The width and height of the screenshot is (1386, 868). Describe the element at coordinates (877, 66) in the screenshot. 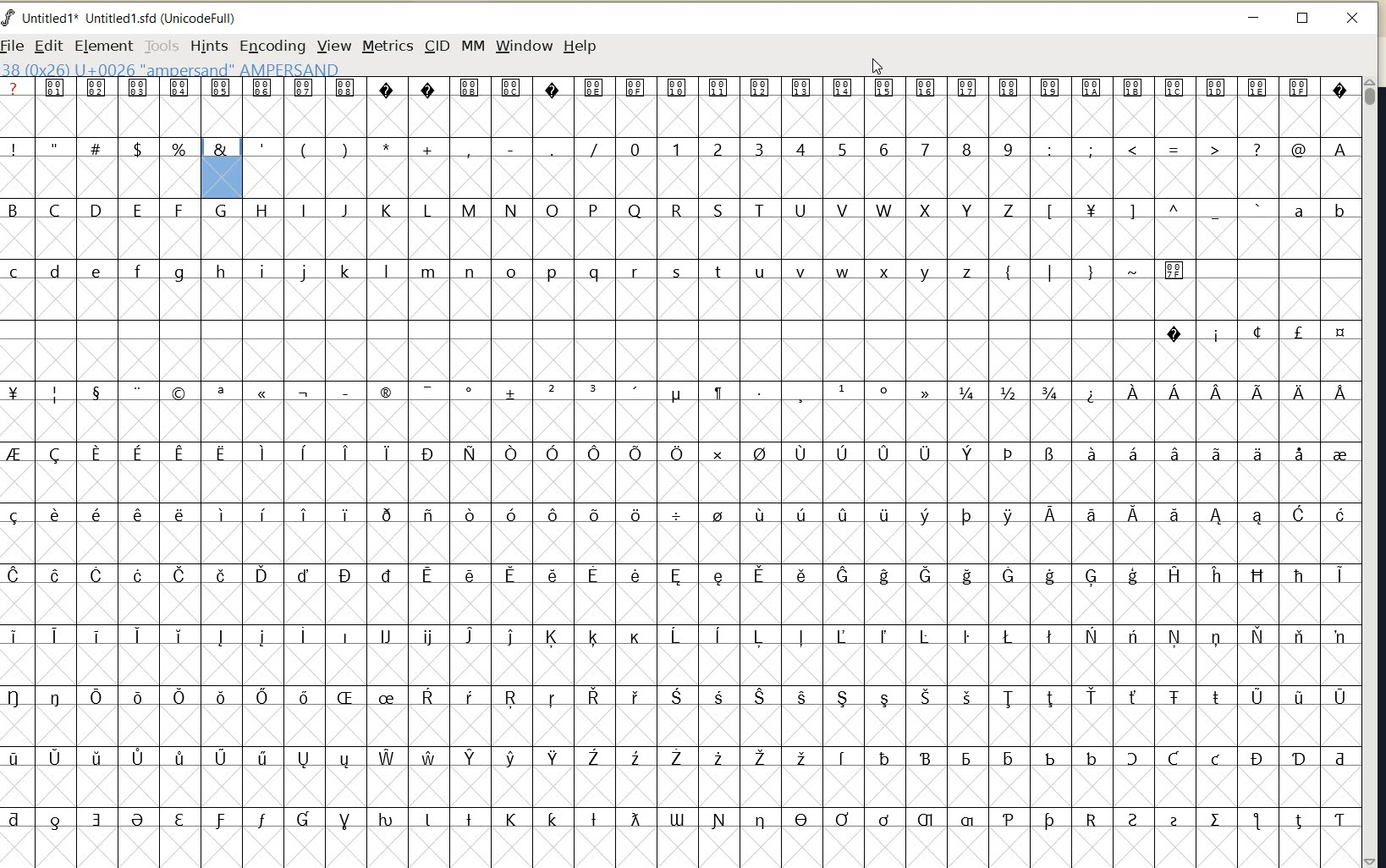

I see `CURSOR` at that location.